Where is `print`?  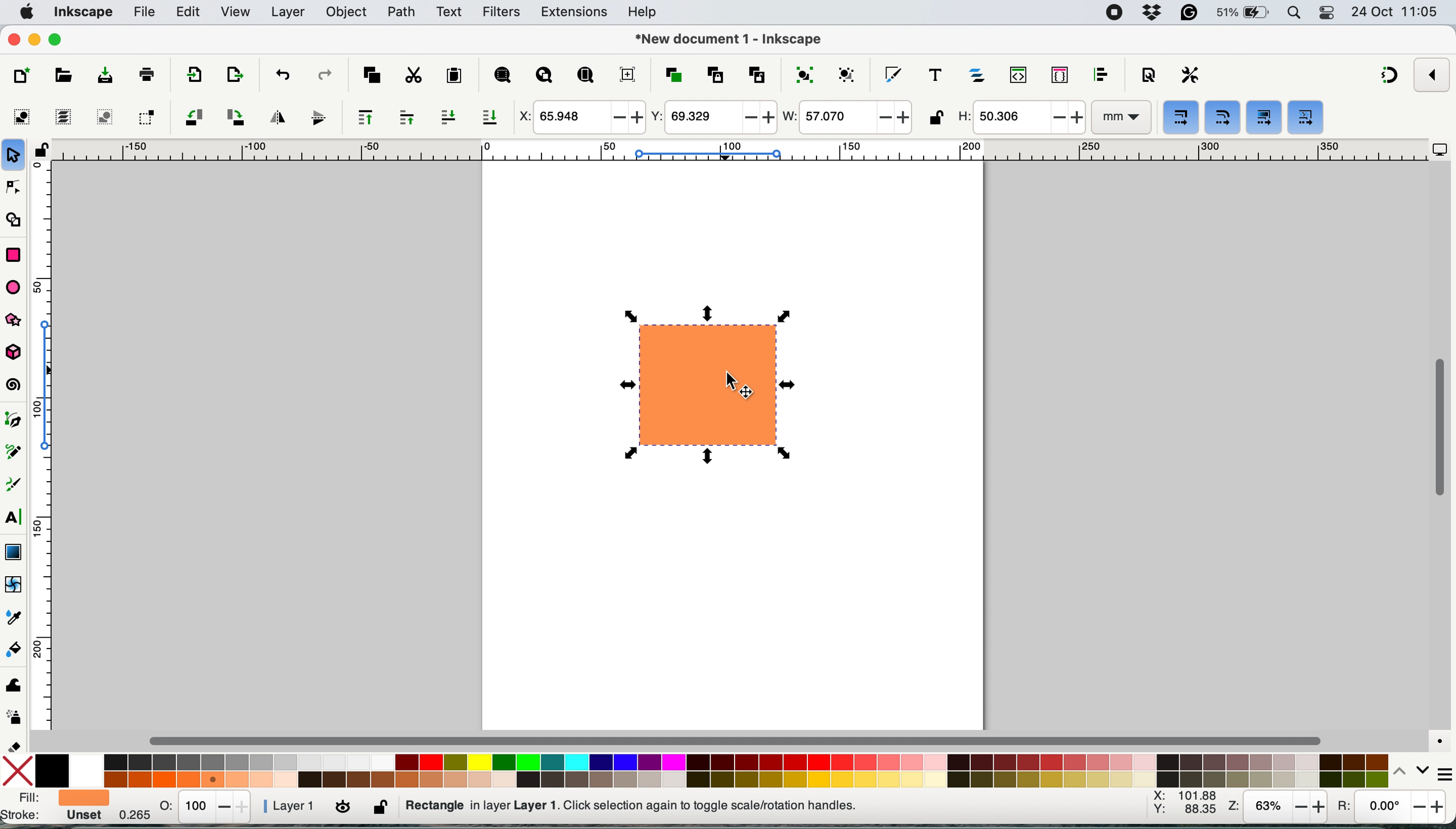
print is located at coordinates (147, 73).